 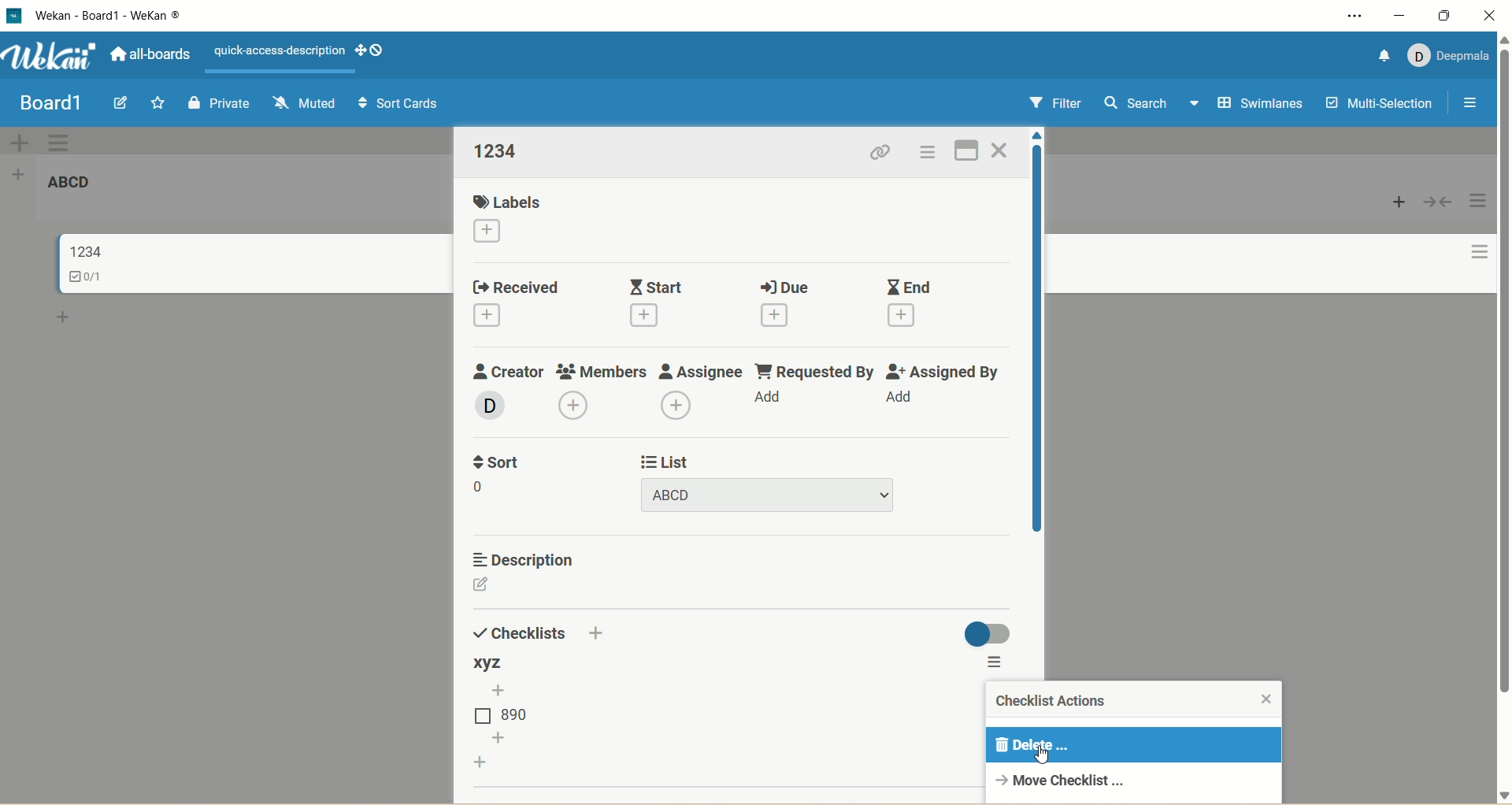 I want to click on add checklist, so click(x=506, y=689).